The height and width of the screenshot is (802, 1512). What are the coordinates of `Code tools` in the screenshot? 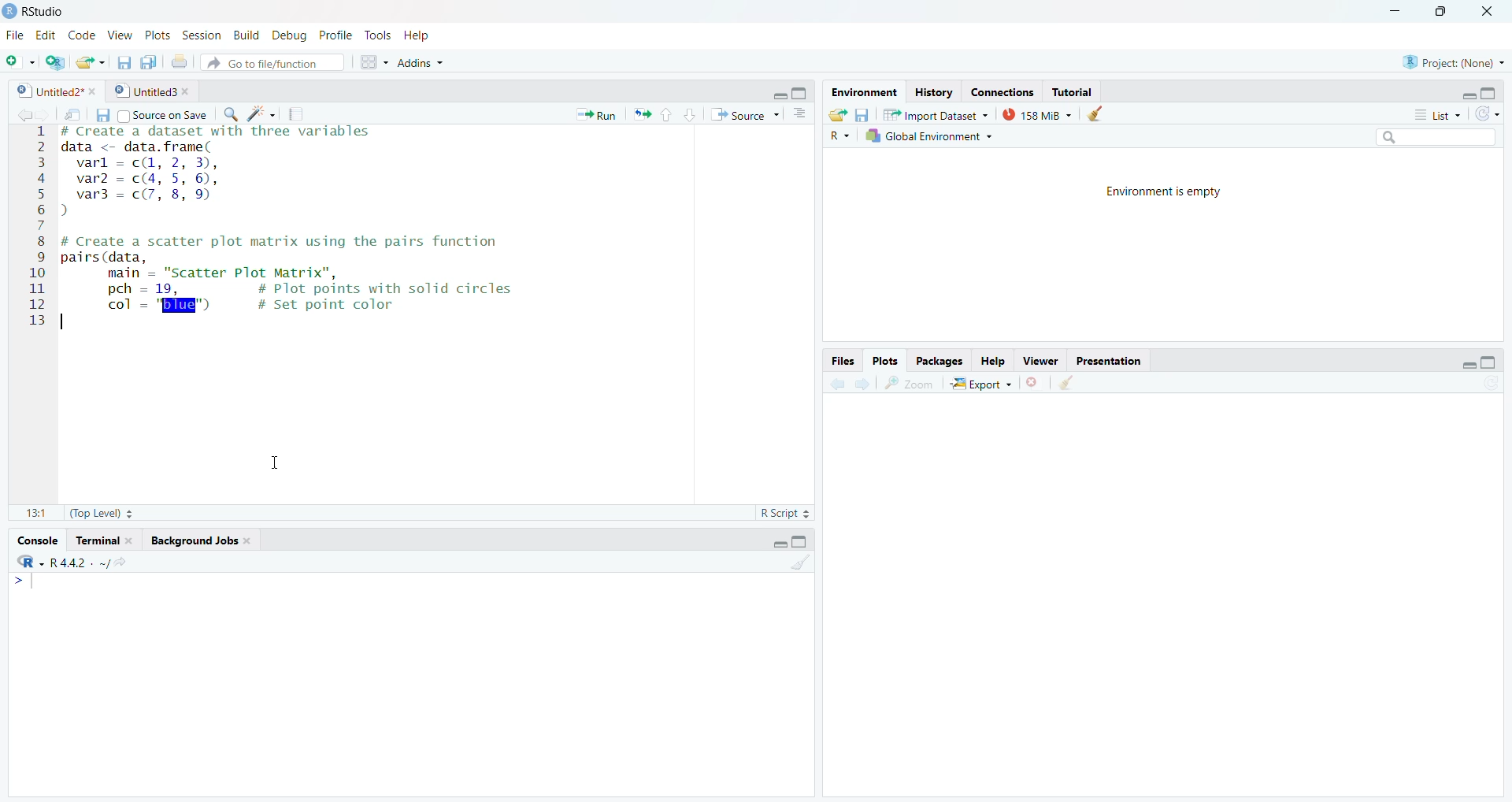 It's located at (260, 115).